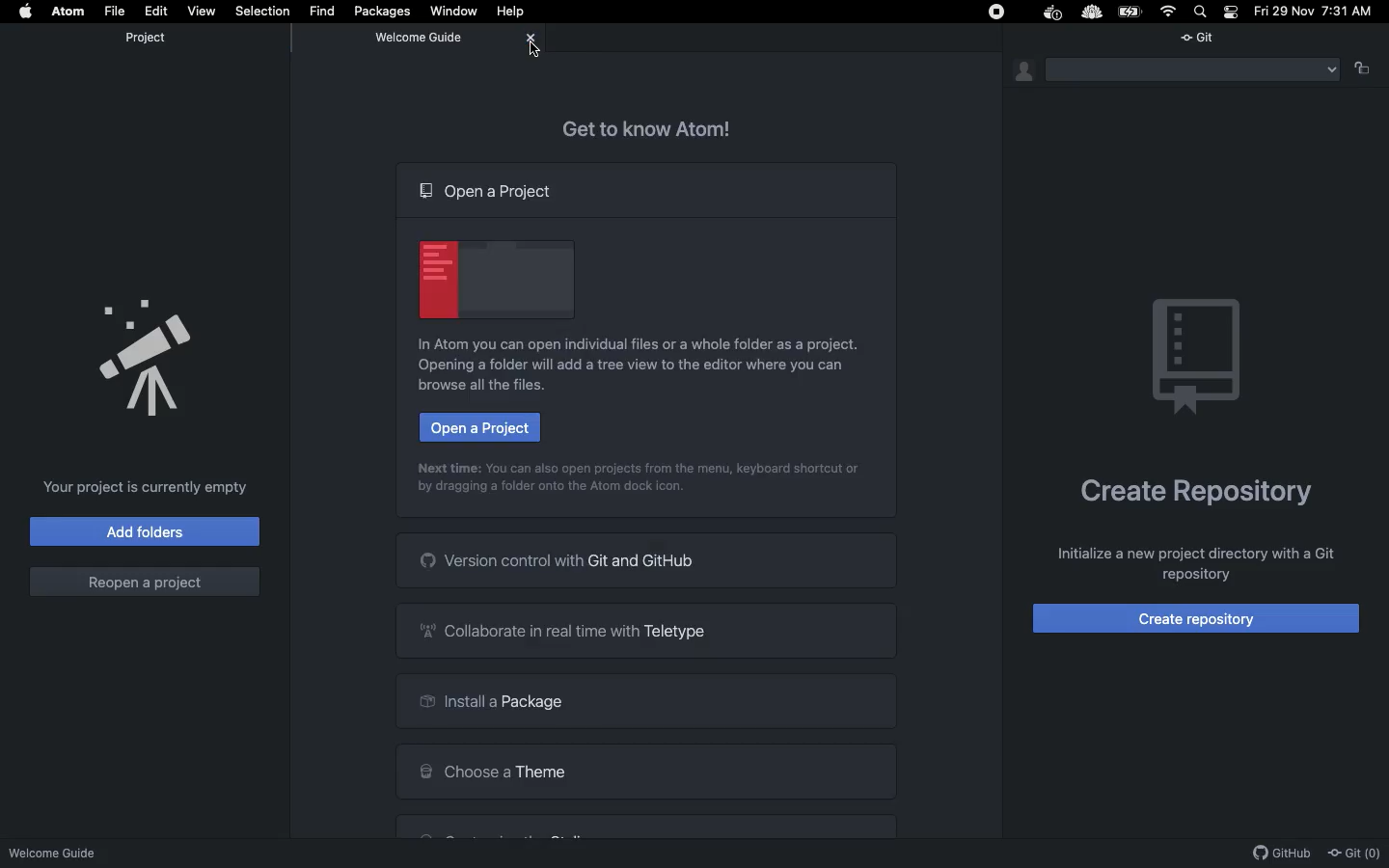  I want to click on File, so click(117, 12).